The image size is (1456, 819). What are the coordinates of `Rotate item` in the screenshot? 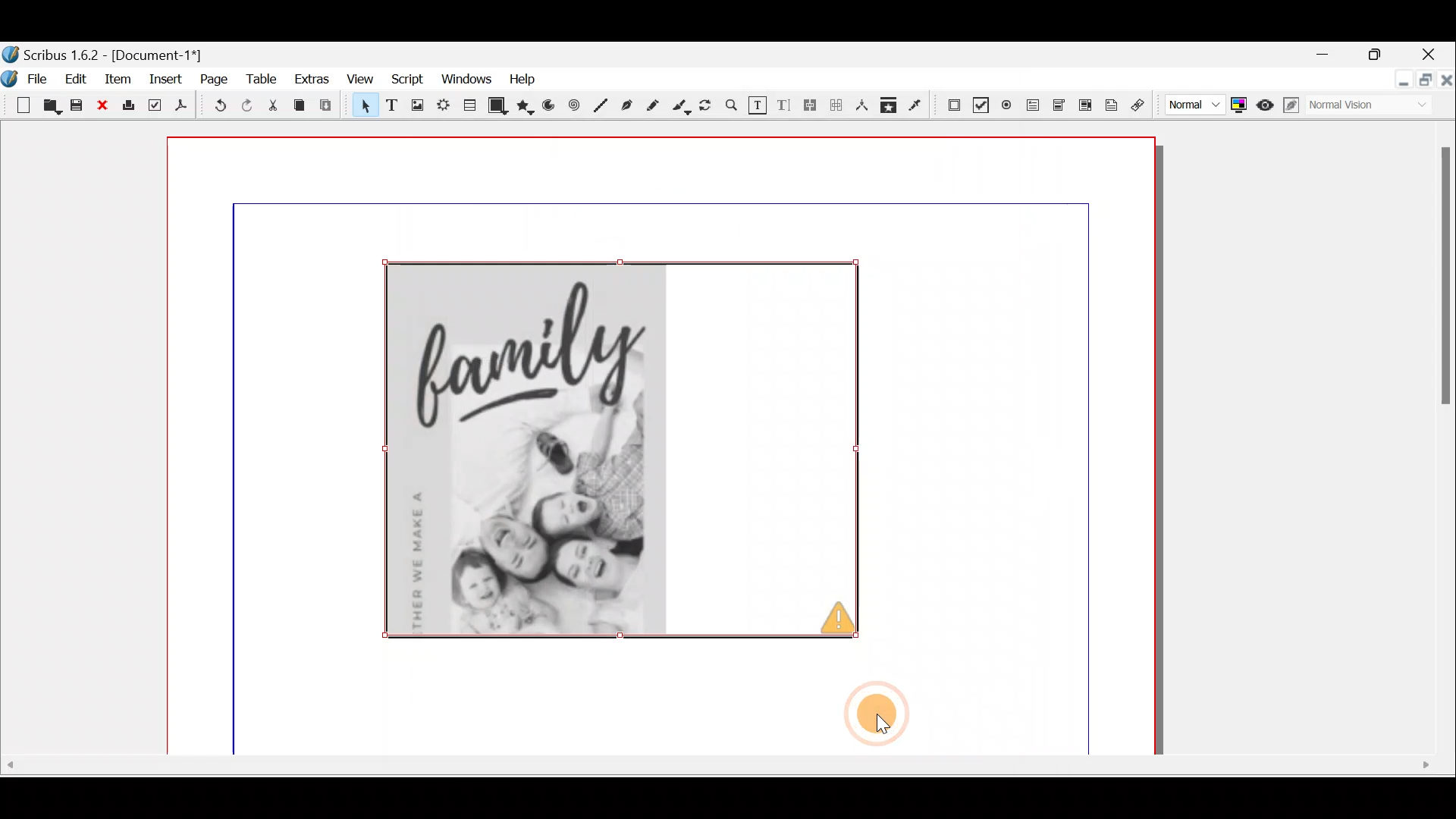 It's located at (707, 102).